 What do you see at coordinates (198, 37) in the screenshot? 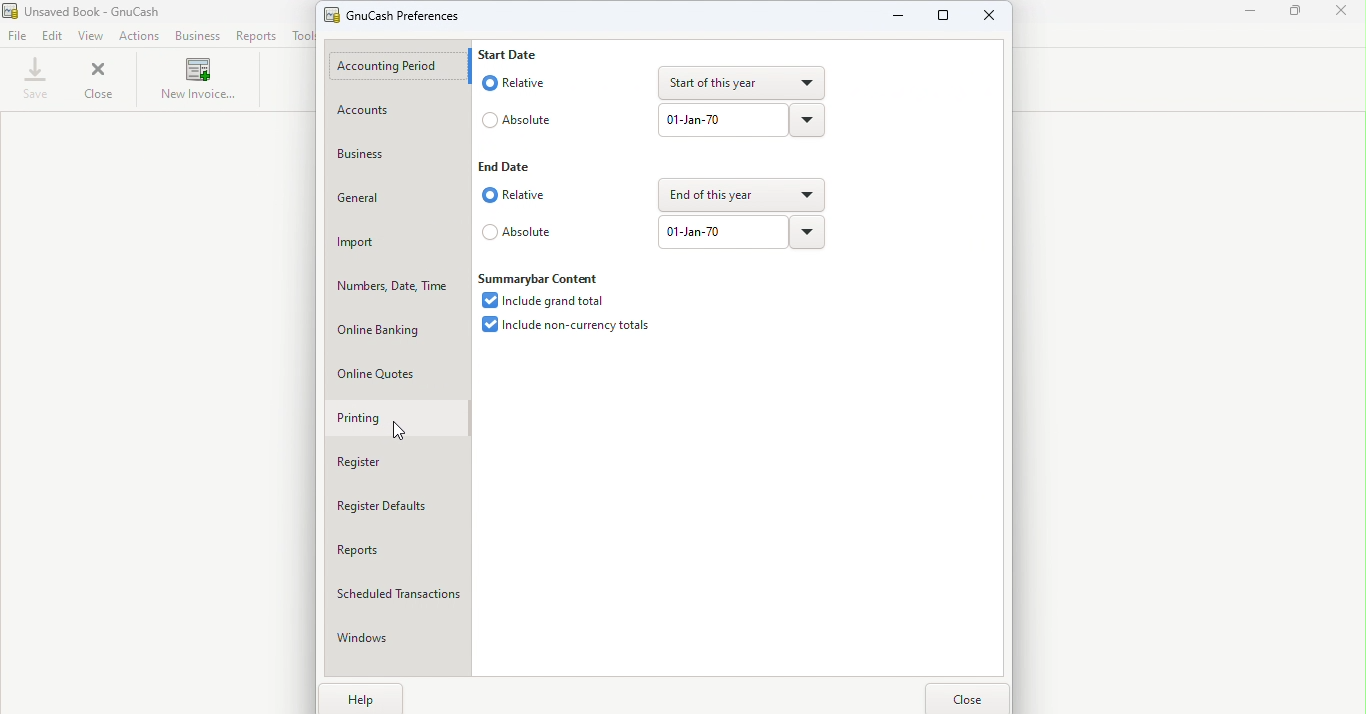
I see `Business` at bounding box center [198, 37].